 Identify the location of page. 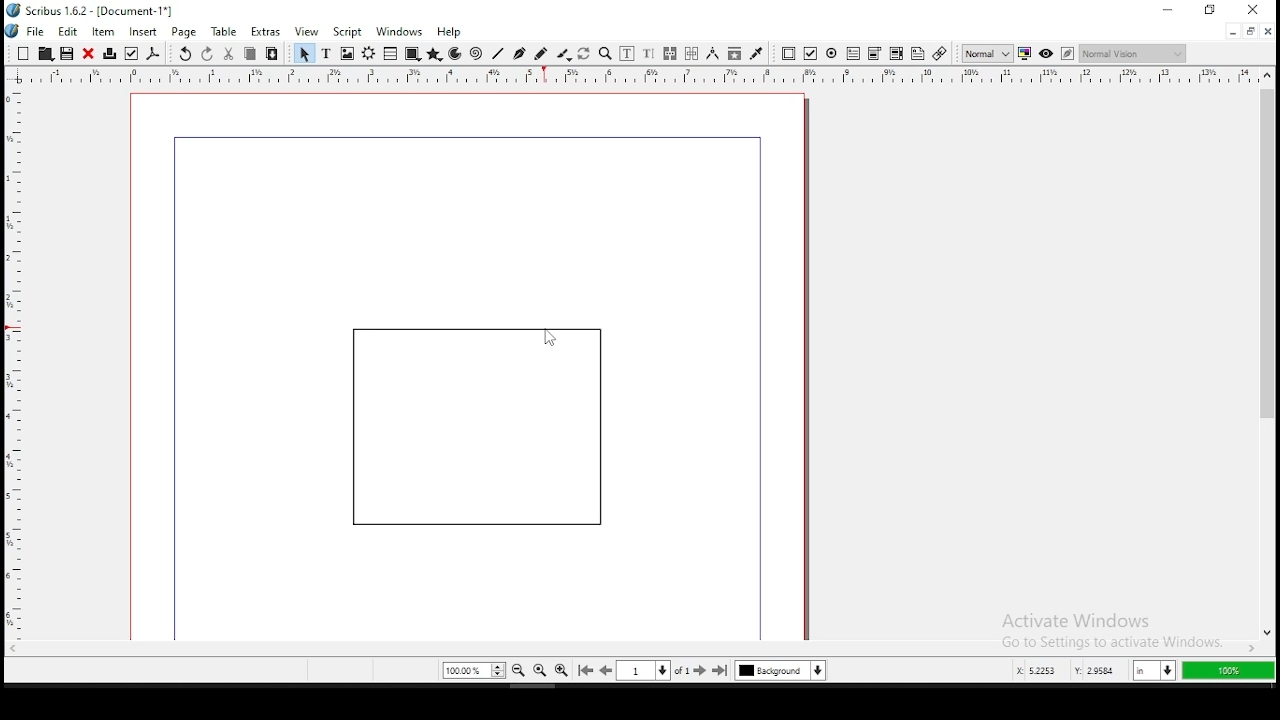
(183, 32).